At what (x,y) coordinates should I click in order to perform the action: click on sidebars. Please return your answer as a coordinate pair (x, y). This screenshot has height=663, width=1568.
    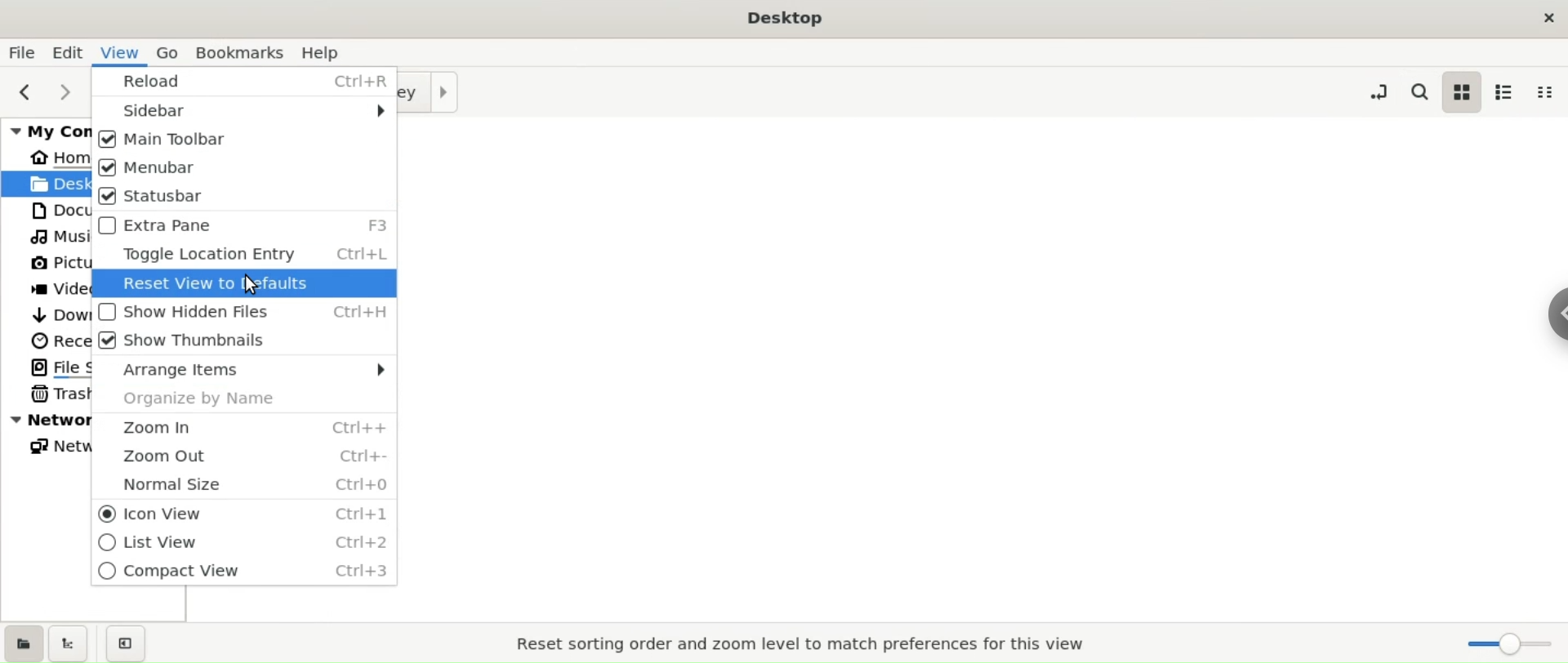
    Looking at the image, I should click on (243, 112).